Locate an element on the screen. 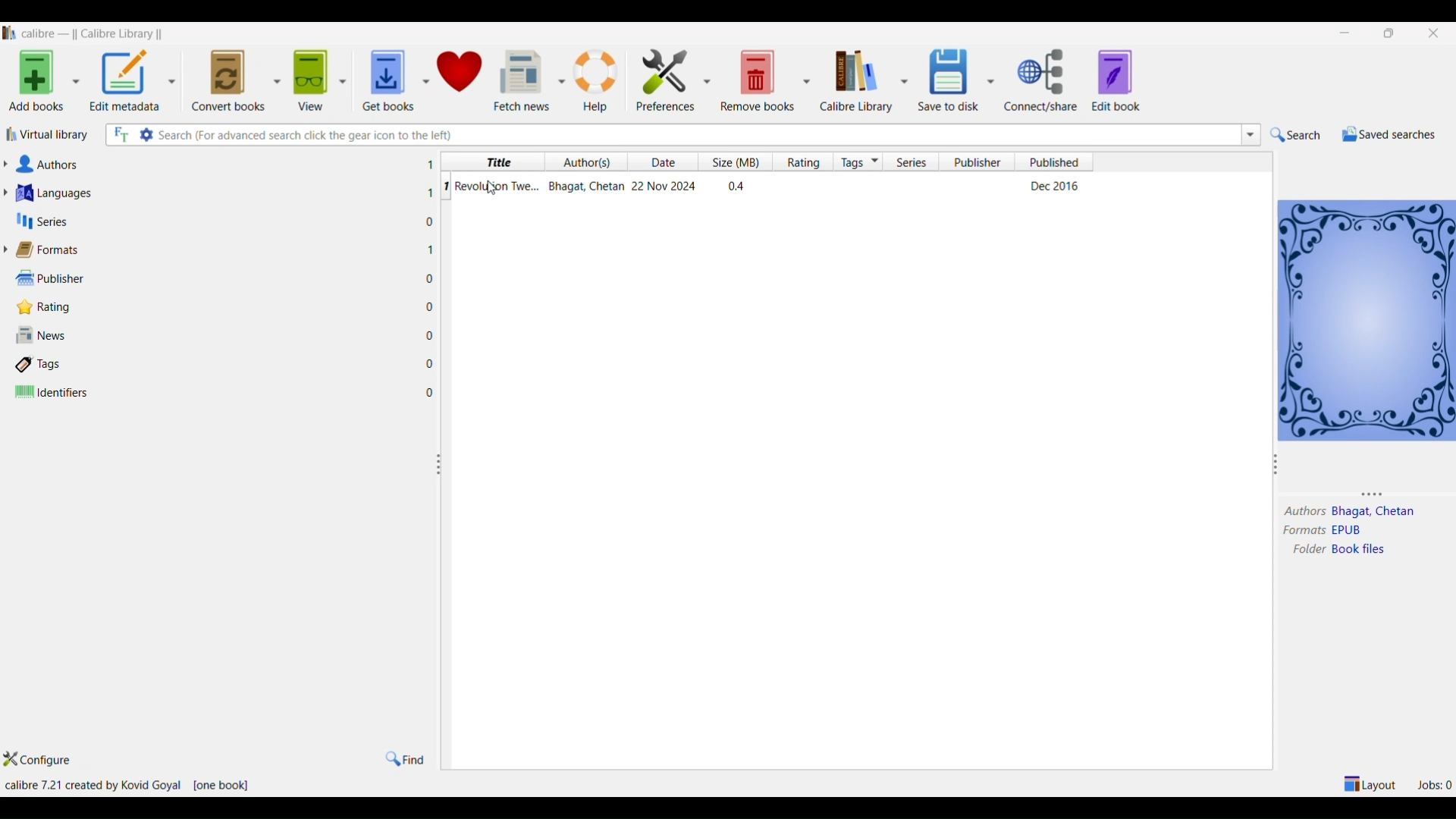  library options dropdown button is located at coordinates (902, 79).